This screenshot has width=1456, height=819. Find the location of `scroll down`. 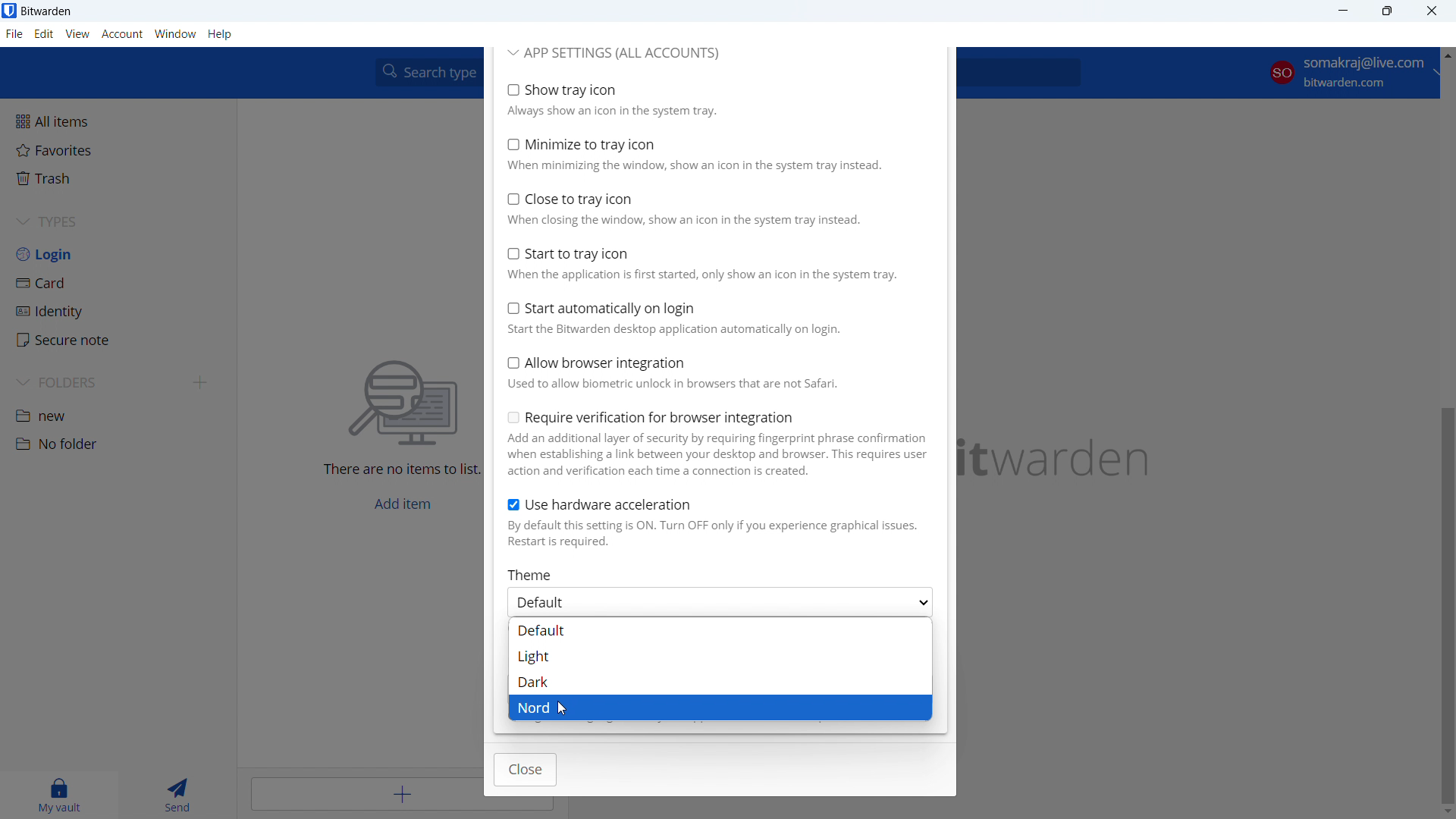

scroll down is located at coordinates (1447, 810).